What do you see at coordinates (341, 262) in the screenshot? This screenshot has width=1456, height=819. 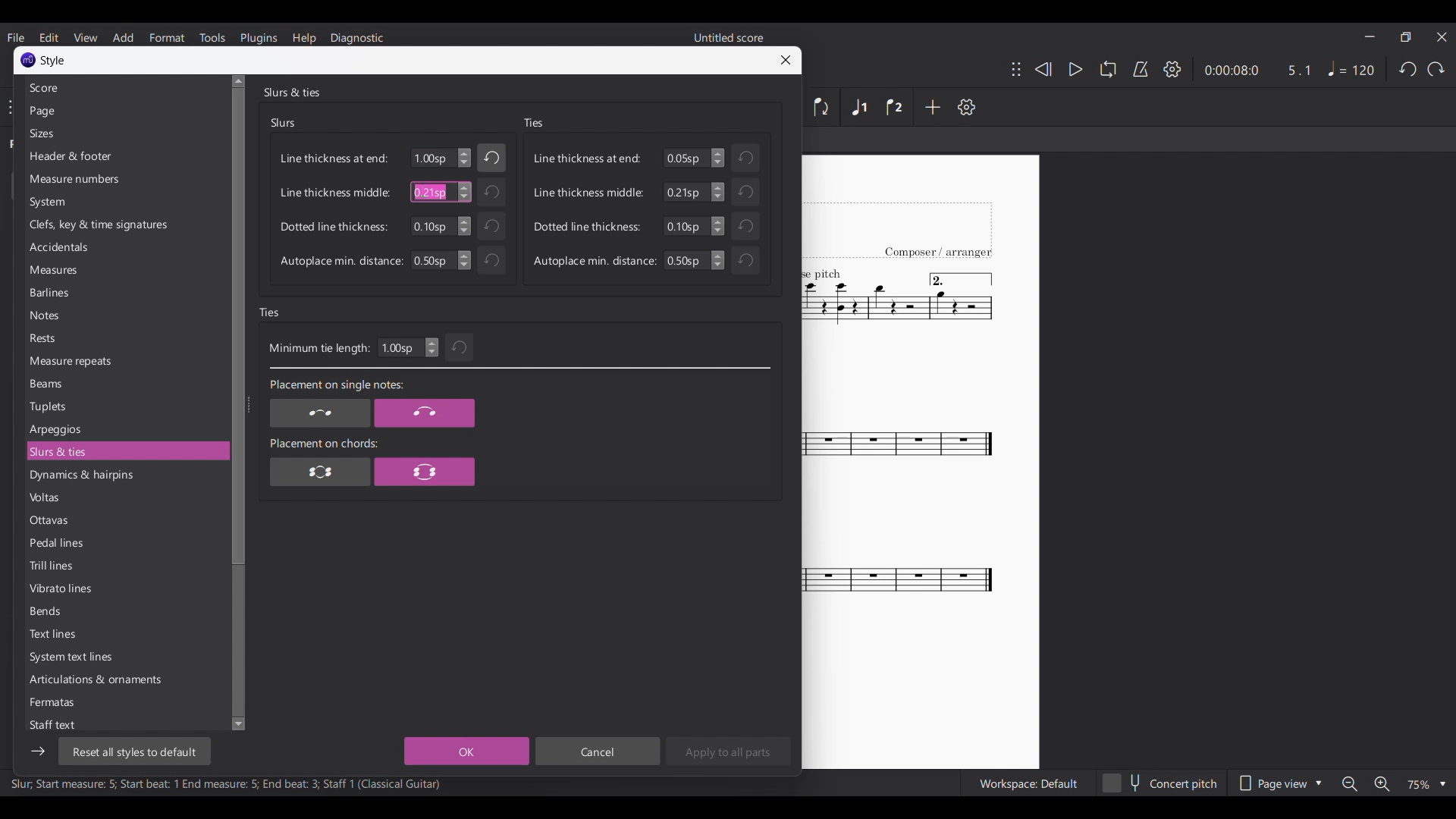 I see `Autoplace min. distance` at bounding box center [341, 262].